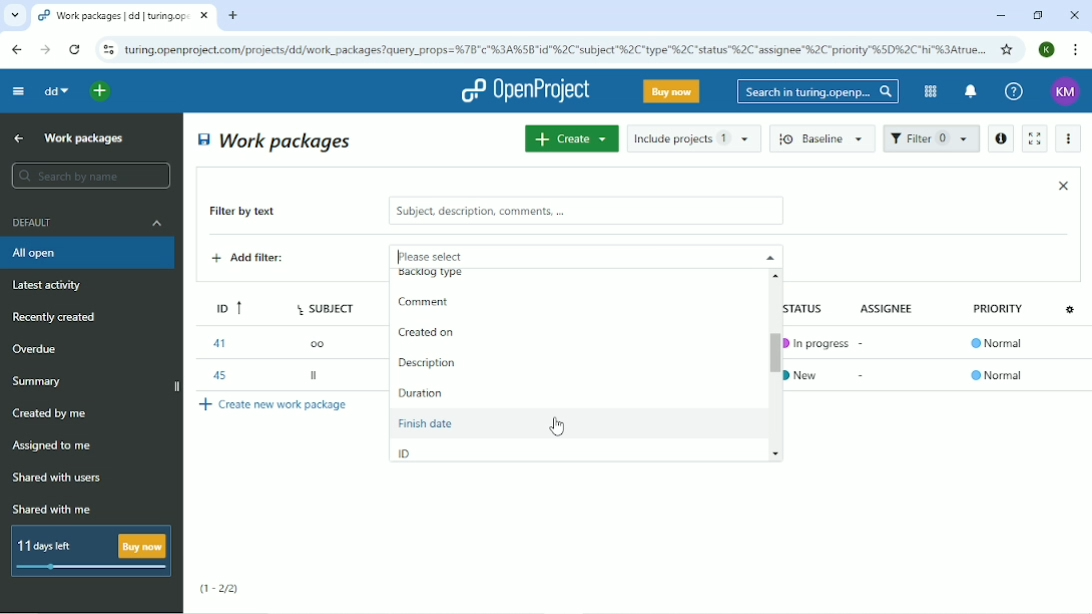 Image resolution: width=1092 pixels, height=614 pixels. I want to click on Create, so click(571, 138).